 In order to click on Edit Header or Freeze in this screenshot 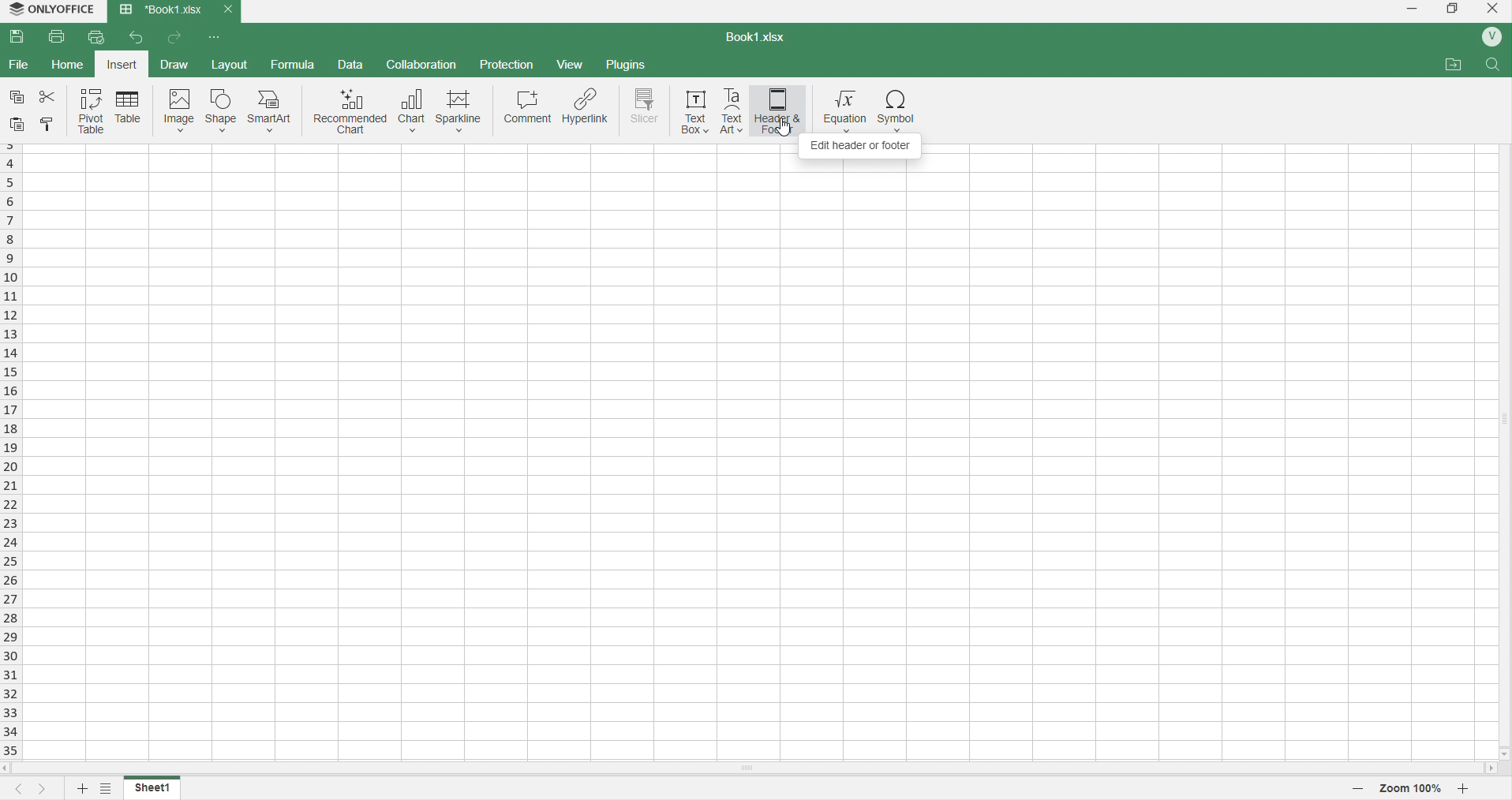, I will do `click(861, 149)`.